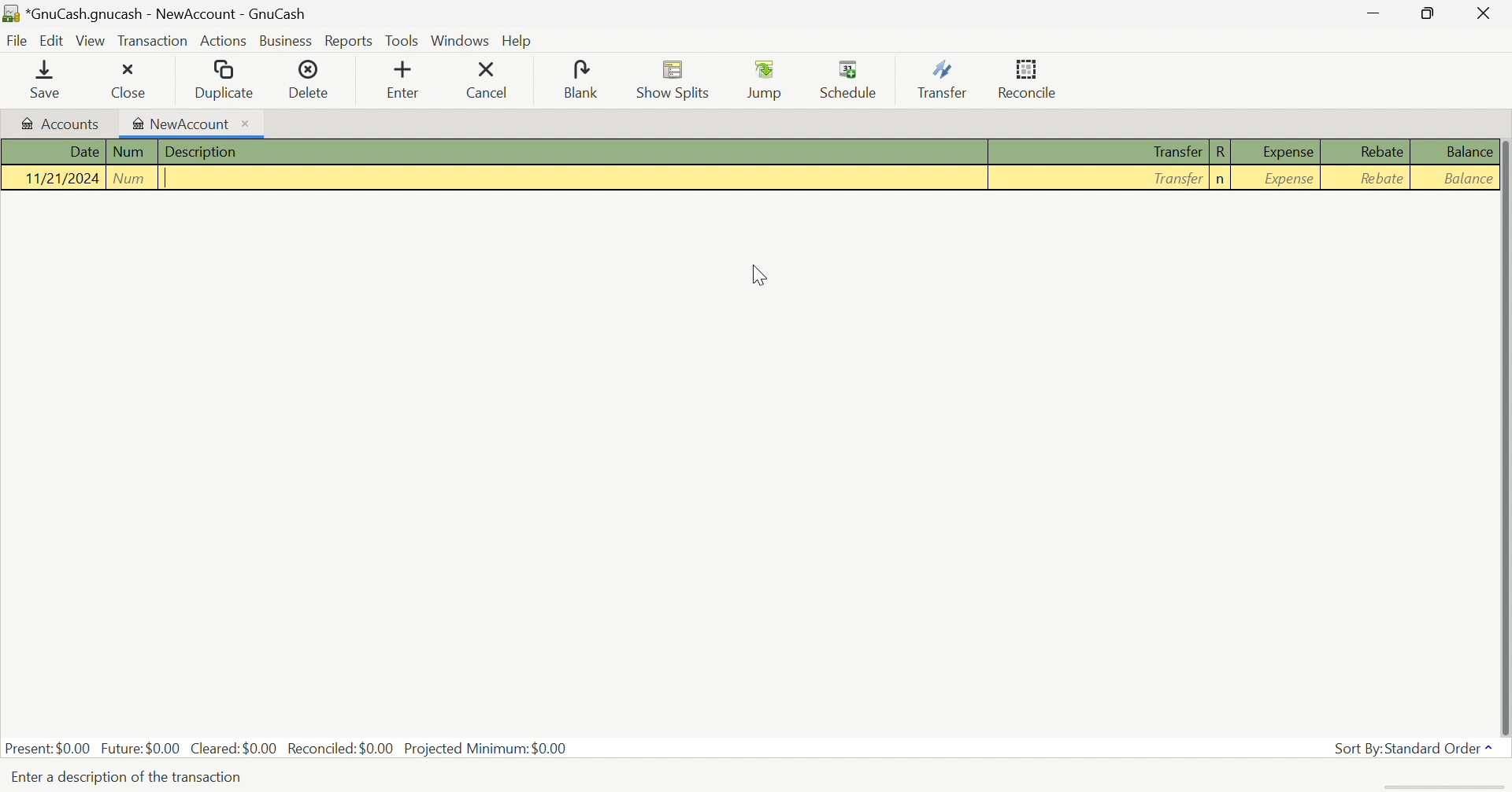 This screenshot has height=792, width=1512. What do you see at coordinates (853, 77) in the screenshot?
I see `Schedule` at bounding box center [853, 77].